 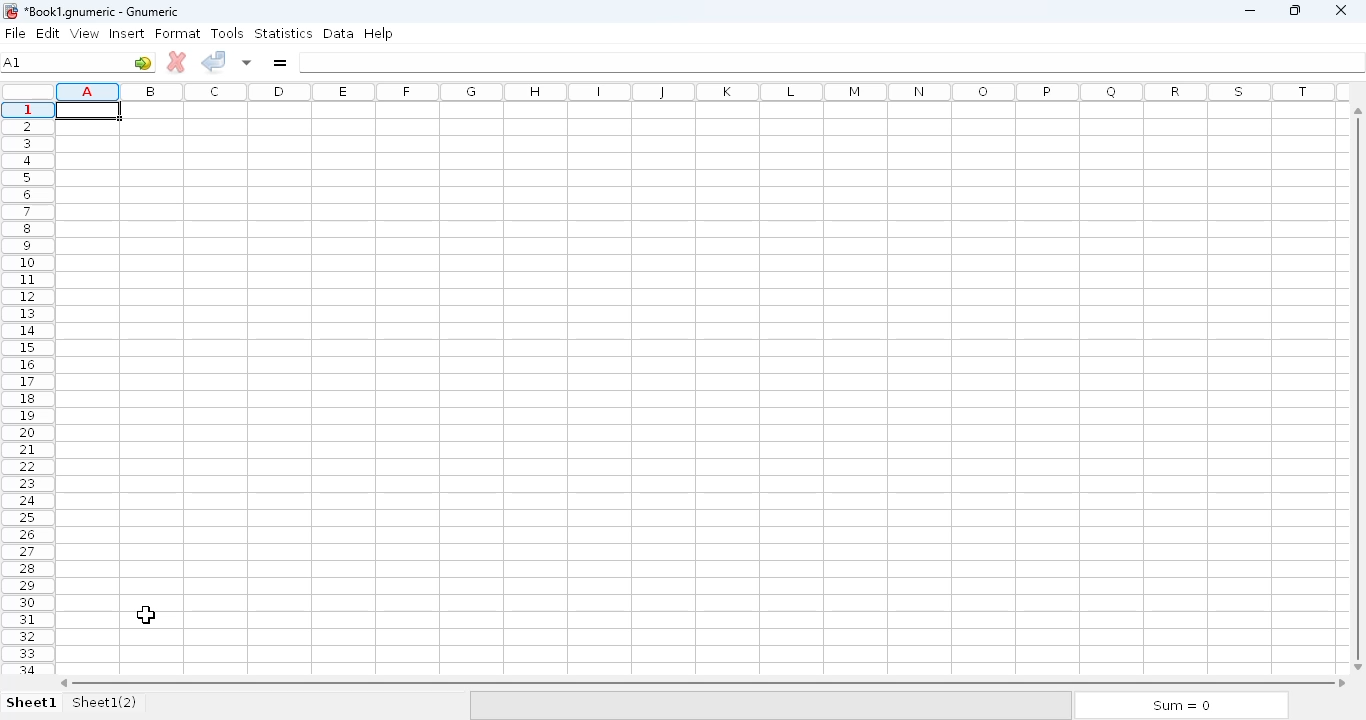 I want to click on sheet1, so click(x=32, y=702).